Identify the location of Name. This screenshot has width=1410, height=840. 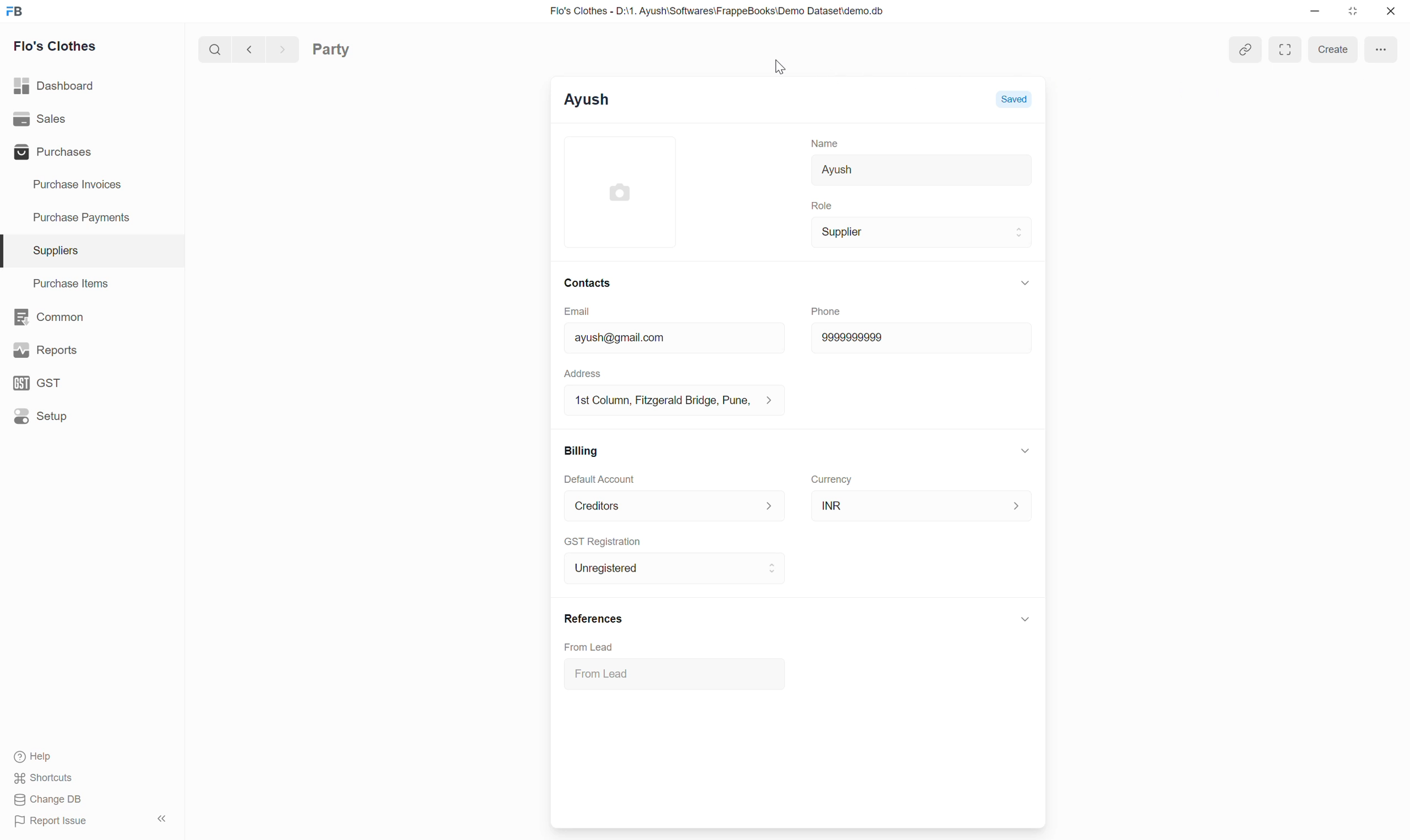
(824, 143).